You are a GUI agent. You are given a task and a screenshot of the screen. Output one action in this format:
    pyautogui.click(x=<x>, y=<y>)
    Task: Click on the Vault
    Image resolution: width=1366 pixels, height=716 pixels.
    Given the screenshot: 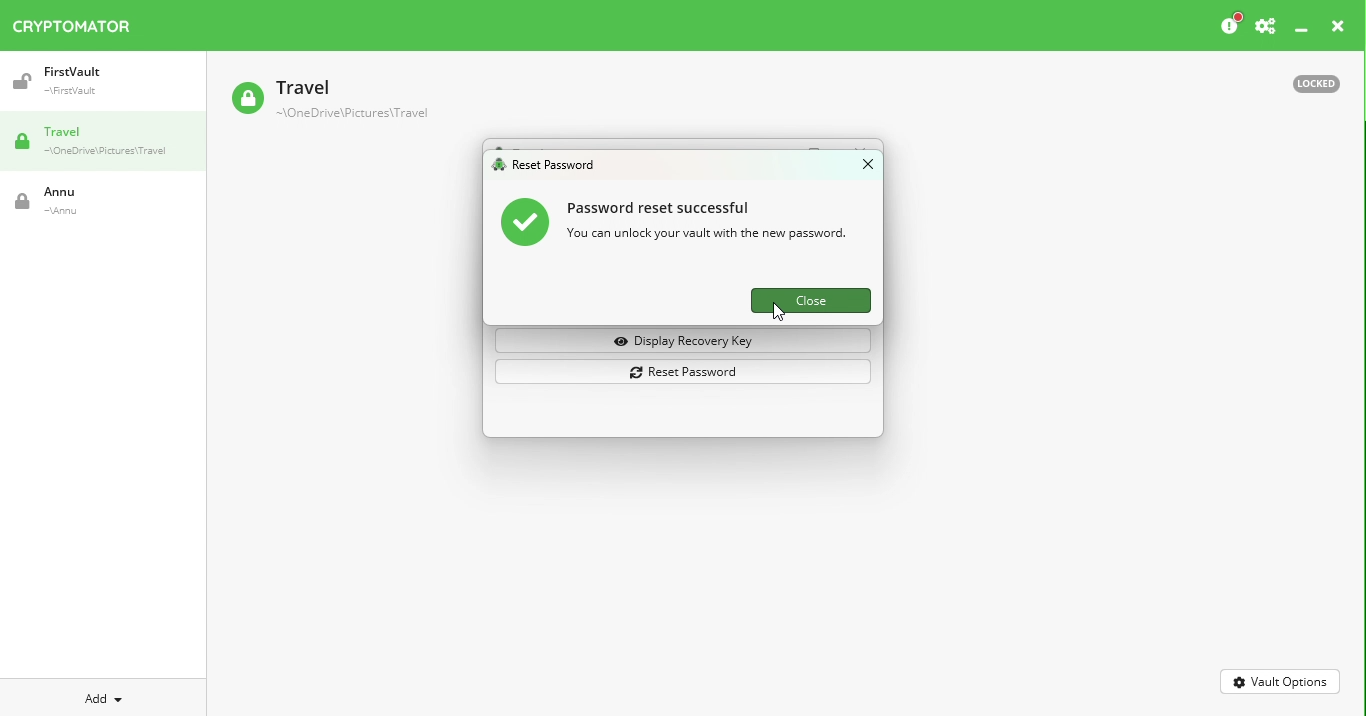 What is the action you would take?
    pyautogui.click(x=93, y=81)
    